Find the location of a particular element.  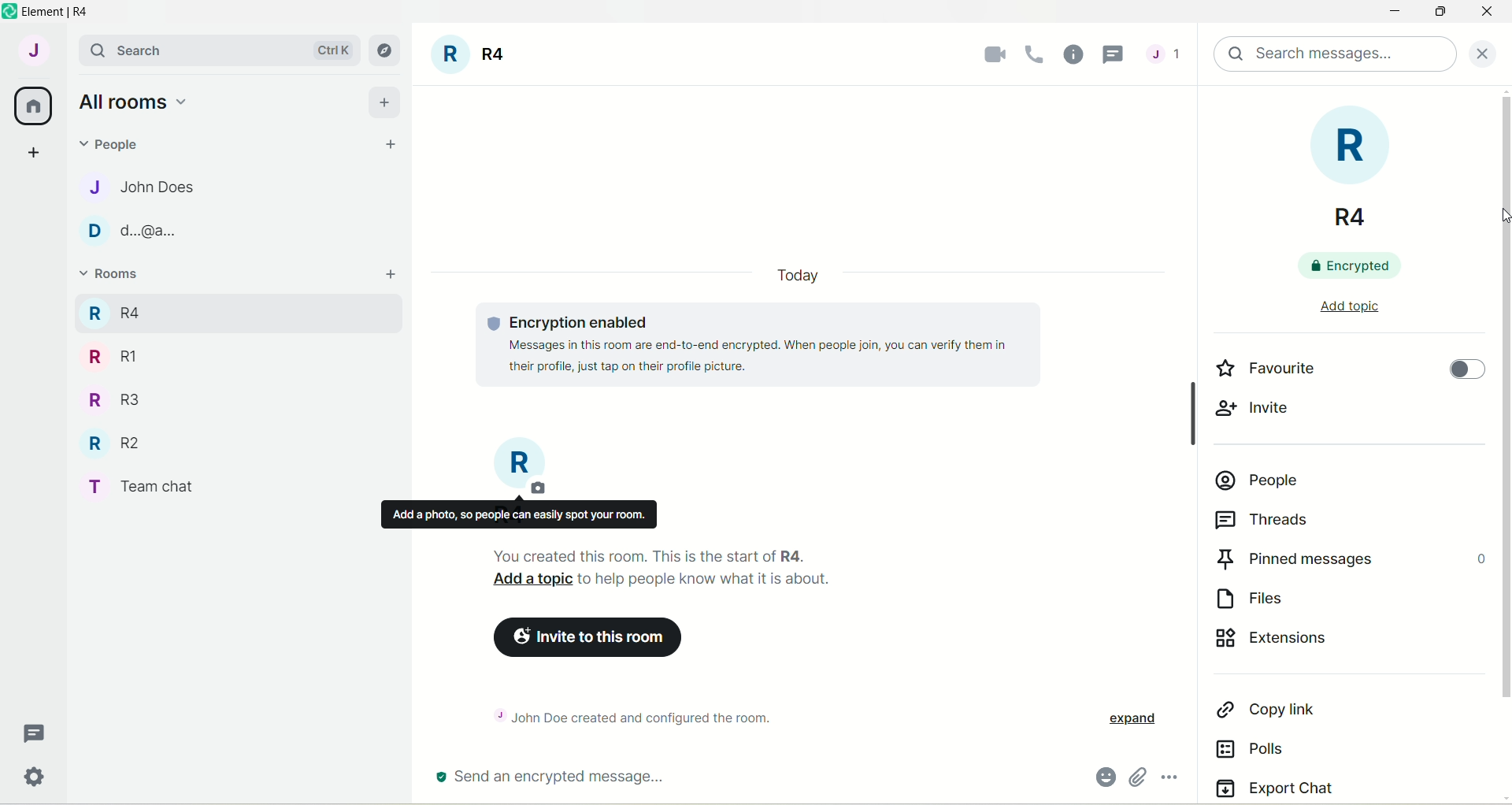

attachments is located at coordinates (1136, 777).